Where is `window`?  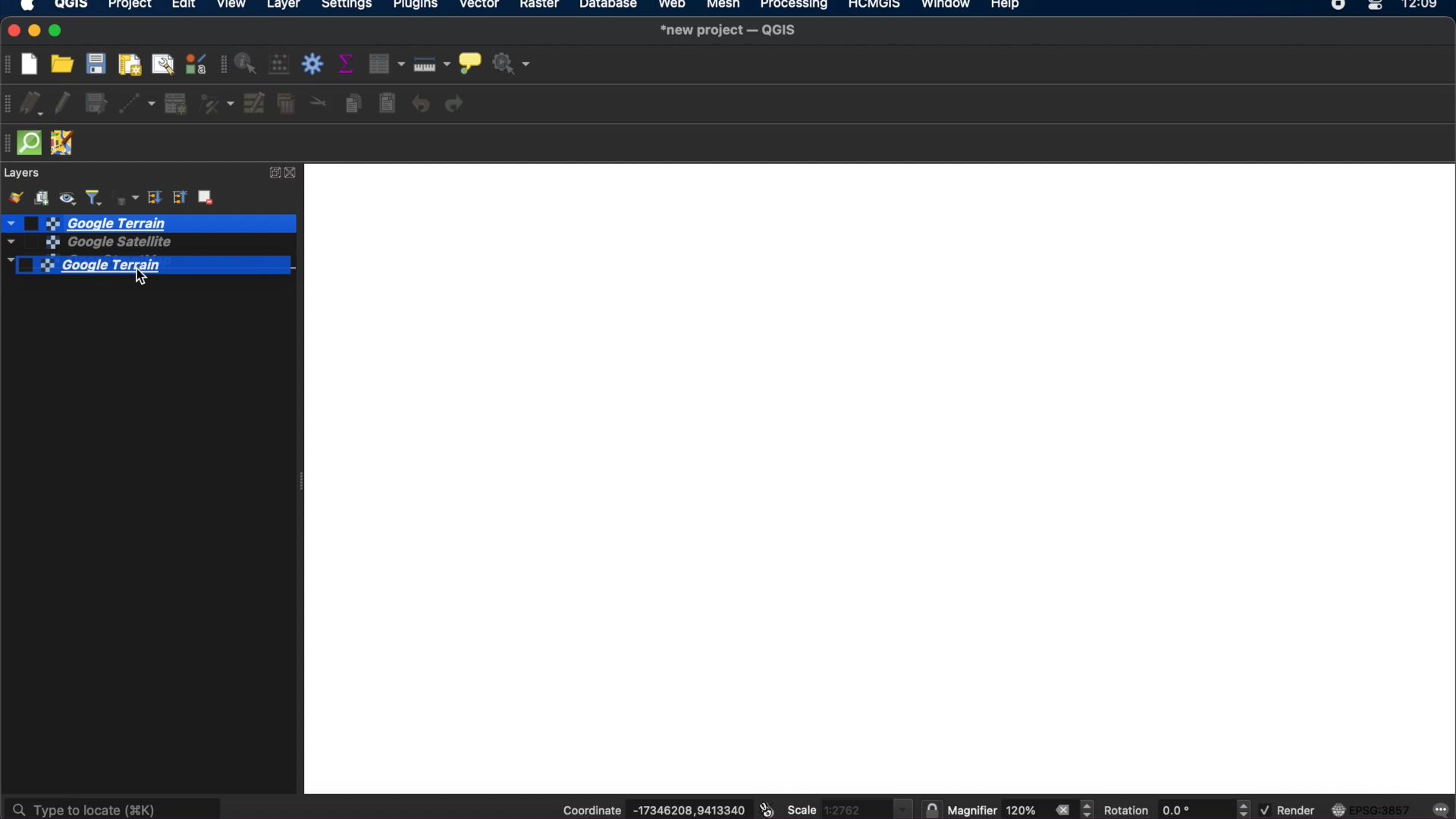 window is located at coordinates (945, 6).